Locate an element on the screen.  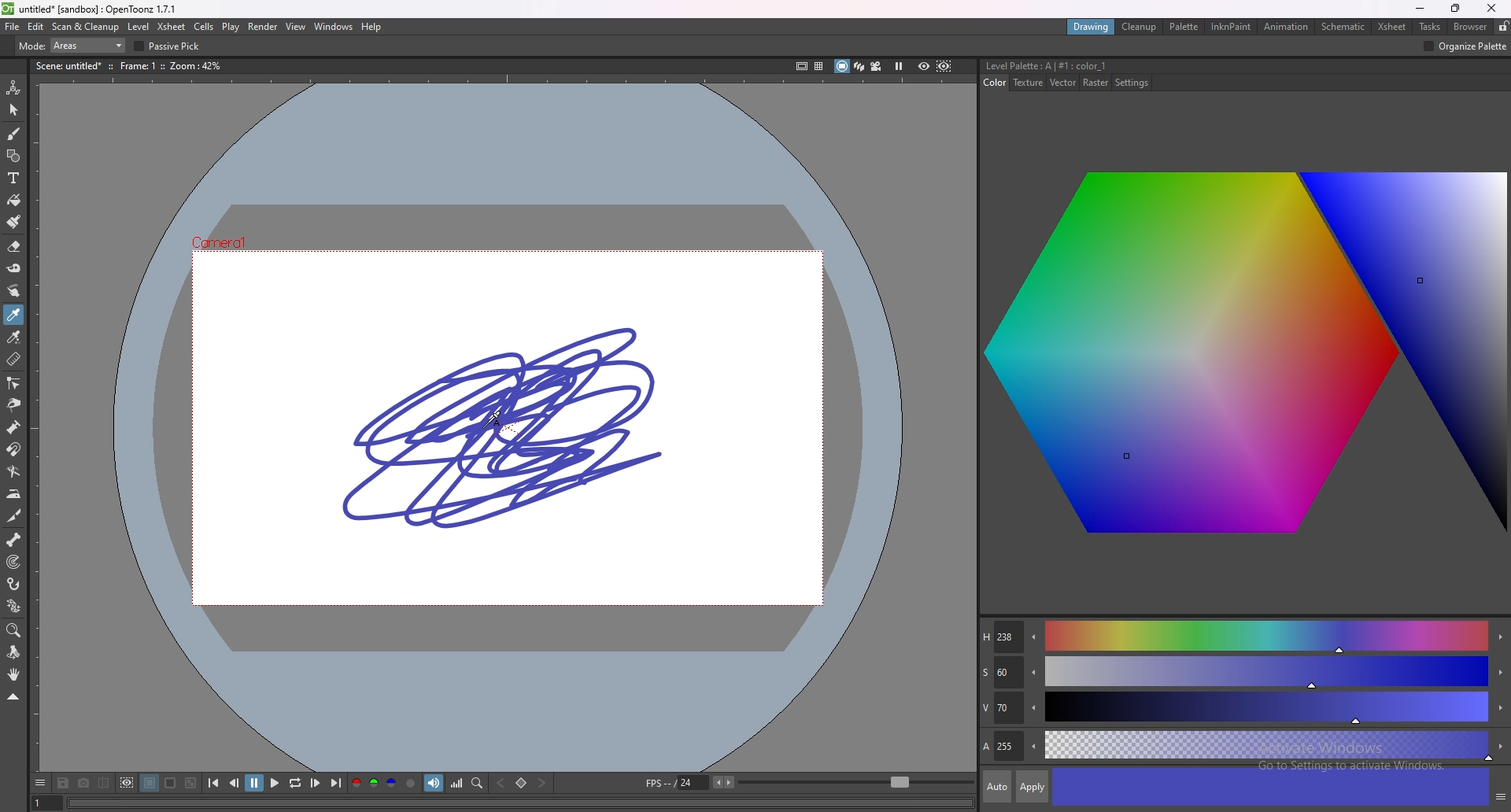
control point editor tool is located at coordinates (14, 382).